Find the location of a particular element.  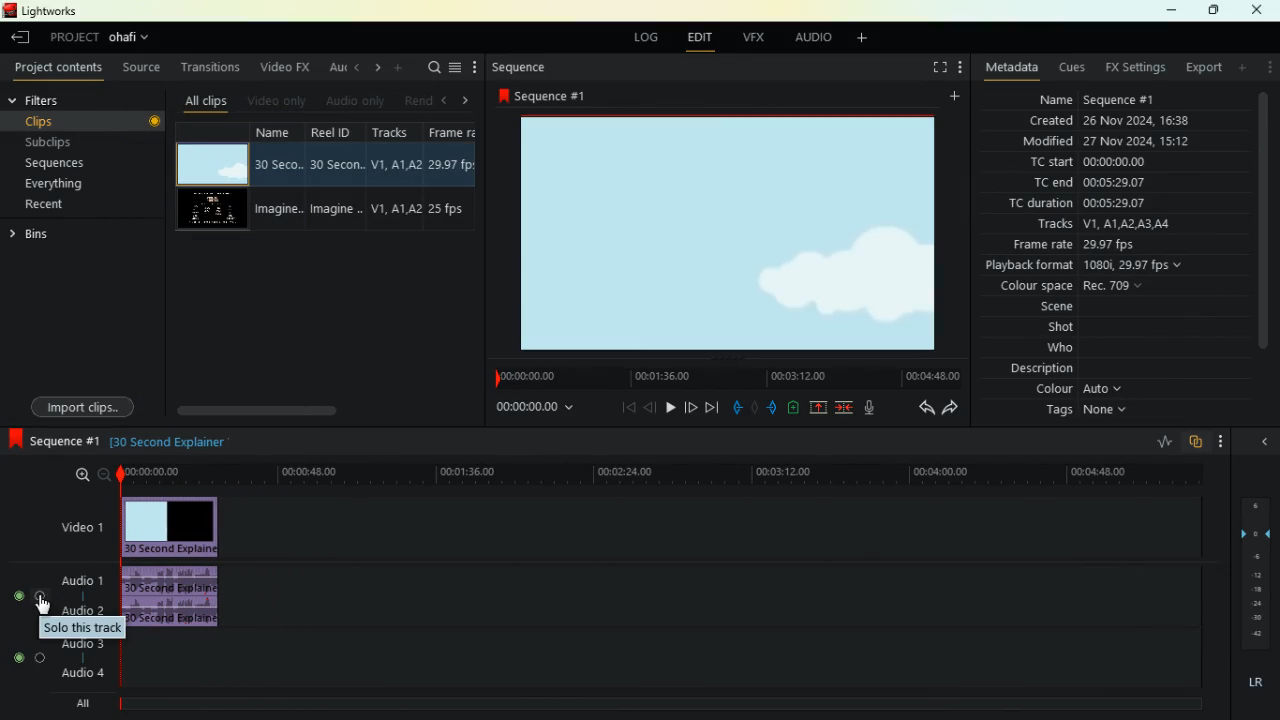

play is located at coordinates (670, 410).